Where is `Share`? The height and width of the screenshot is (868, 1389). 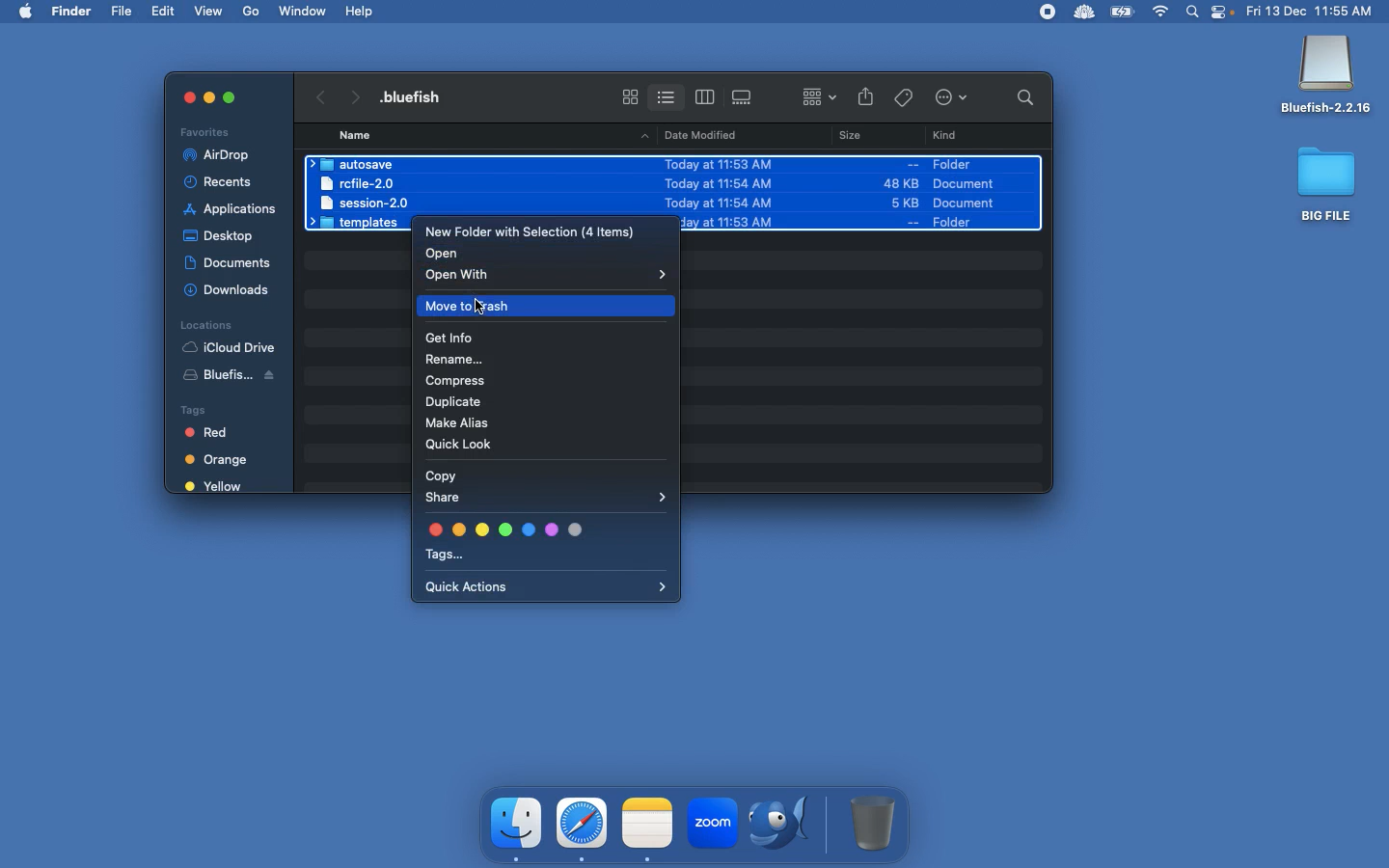 Share is located at coordinates (551, 500).